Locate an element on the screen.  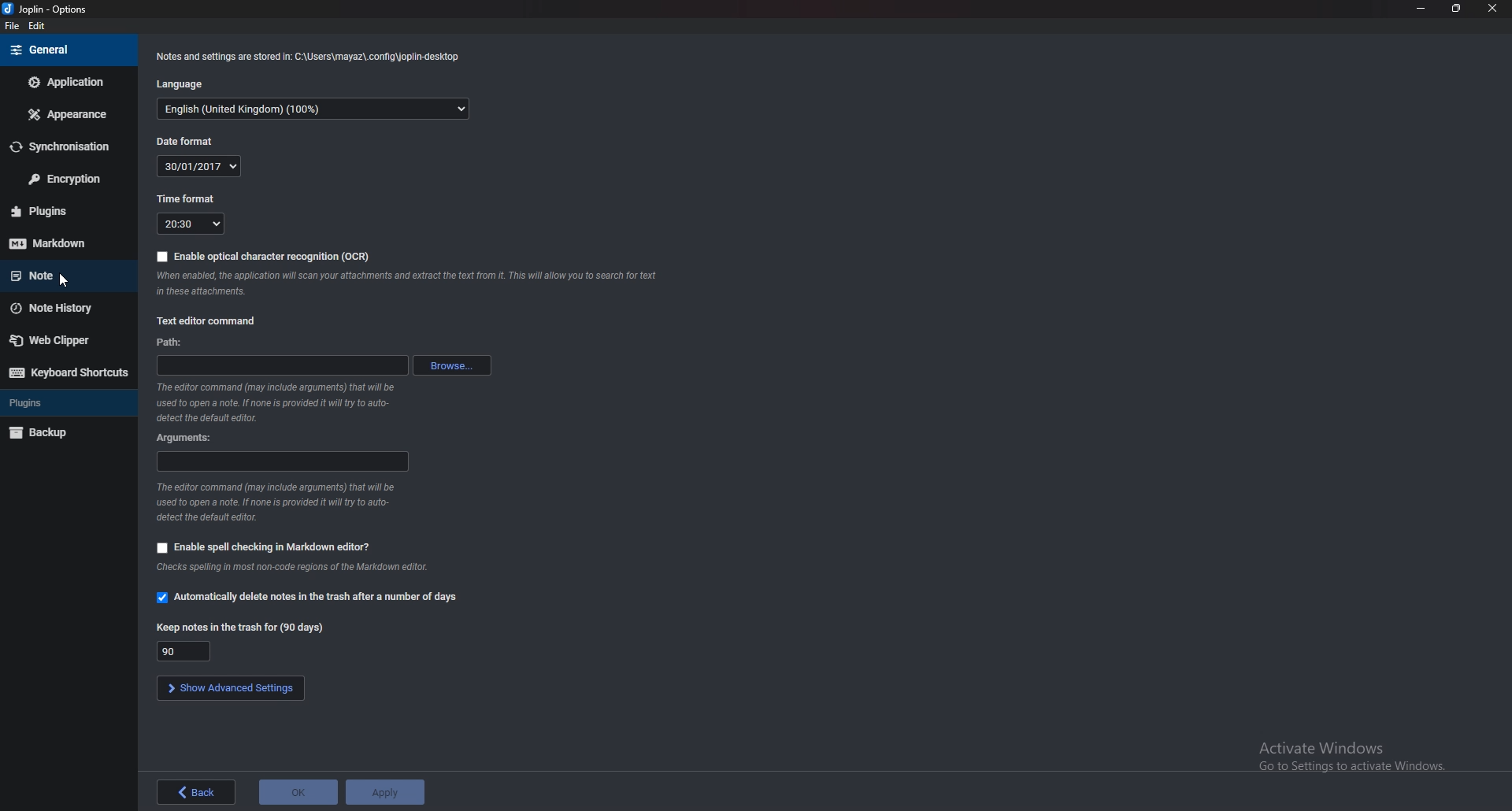
Resize is located at coordinates (1456, 8).